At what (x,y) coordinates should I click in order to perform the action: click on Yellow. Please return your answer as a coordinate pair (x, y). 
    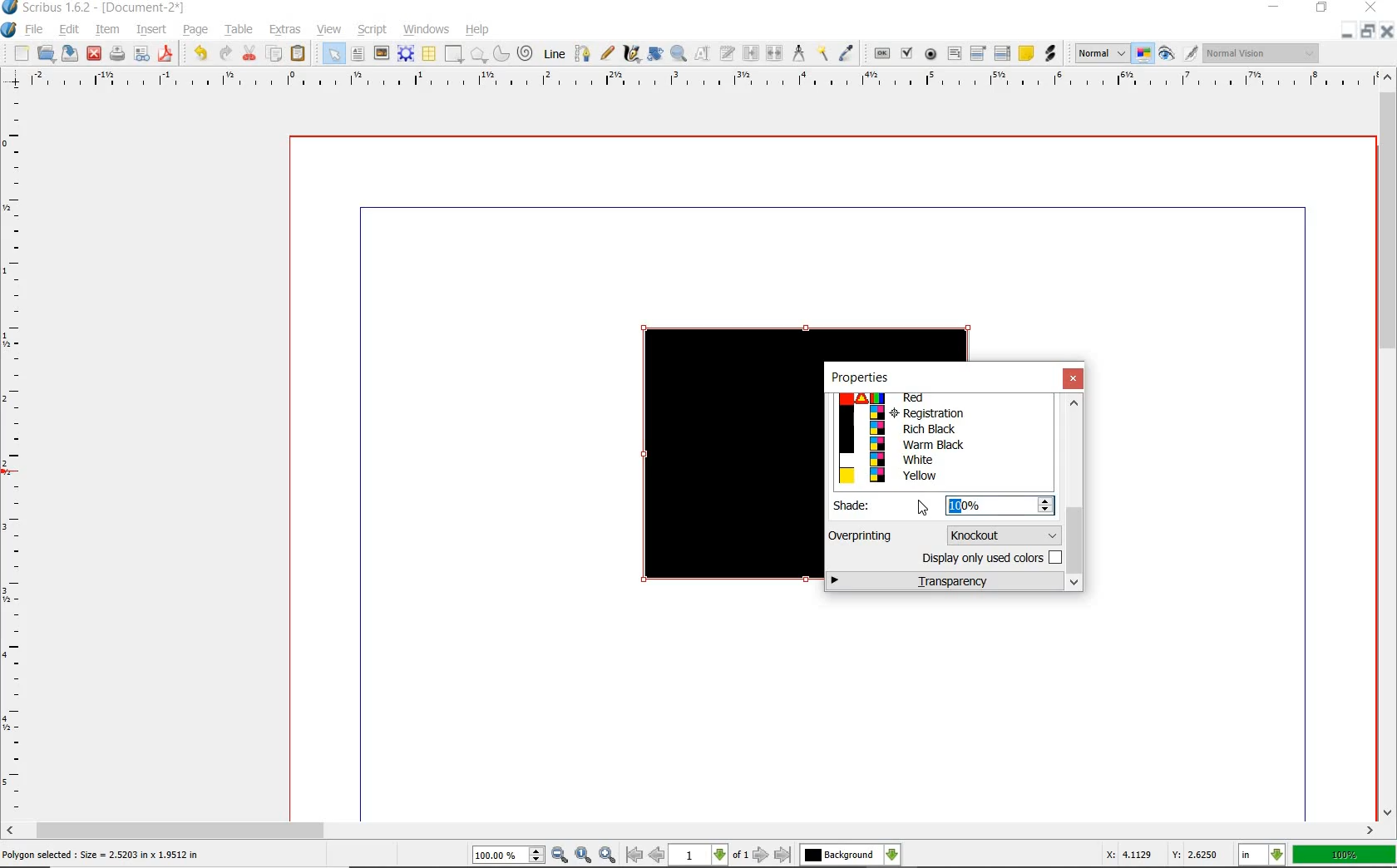
    Looking at the image, I should click on (941, 476).